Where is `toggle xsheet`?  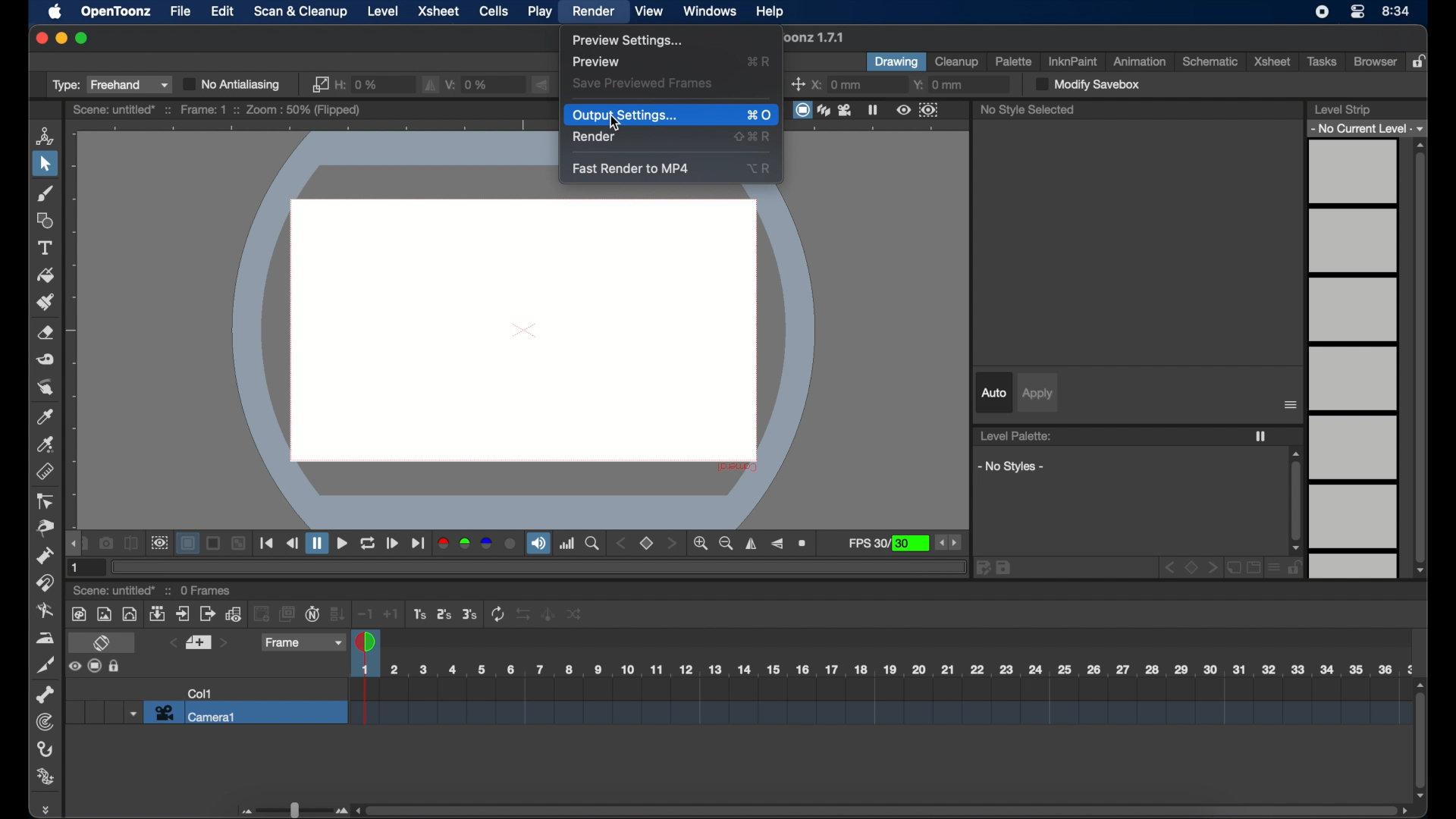
toggle xsheet is located at coordinates (104, 644).